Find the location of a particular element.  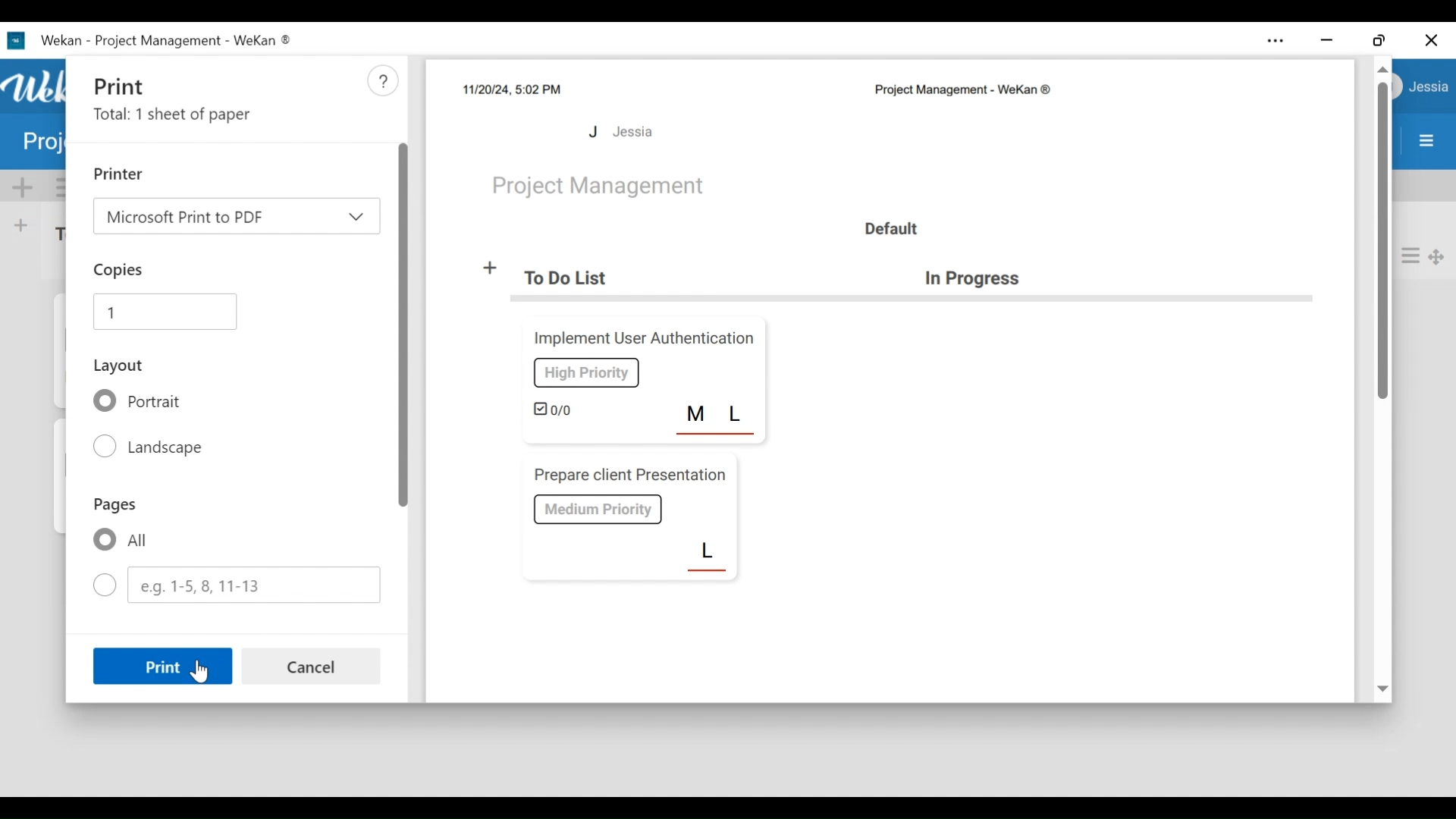

Desktop drag handles is located at coordinates (1436, 256).